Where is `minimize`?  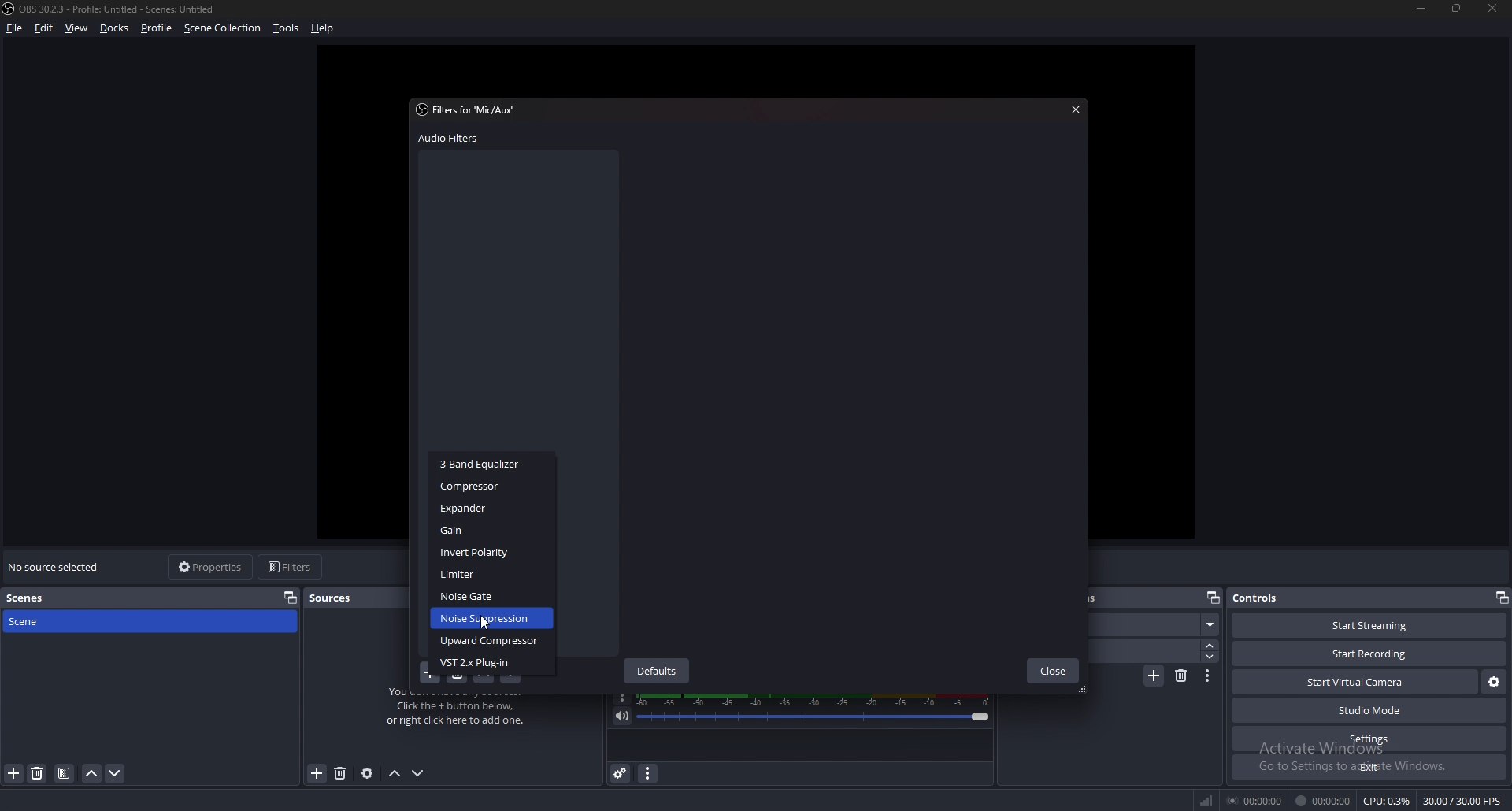 minimize is located at coordinates (1421, 9).